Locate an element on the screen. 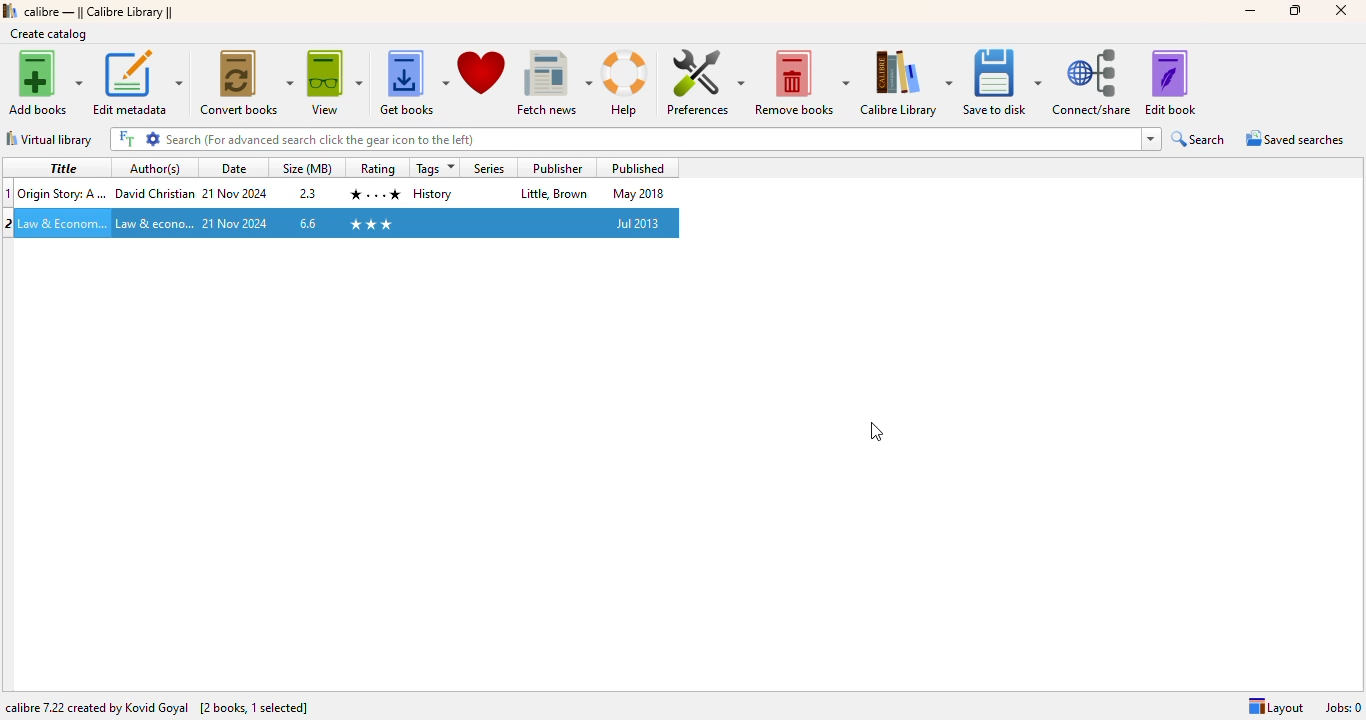 This screenshot has height=720, width=1366. title is located at coordinates (651, 139).